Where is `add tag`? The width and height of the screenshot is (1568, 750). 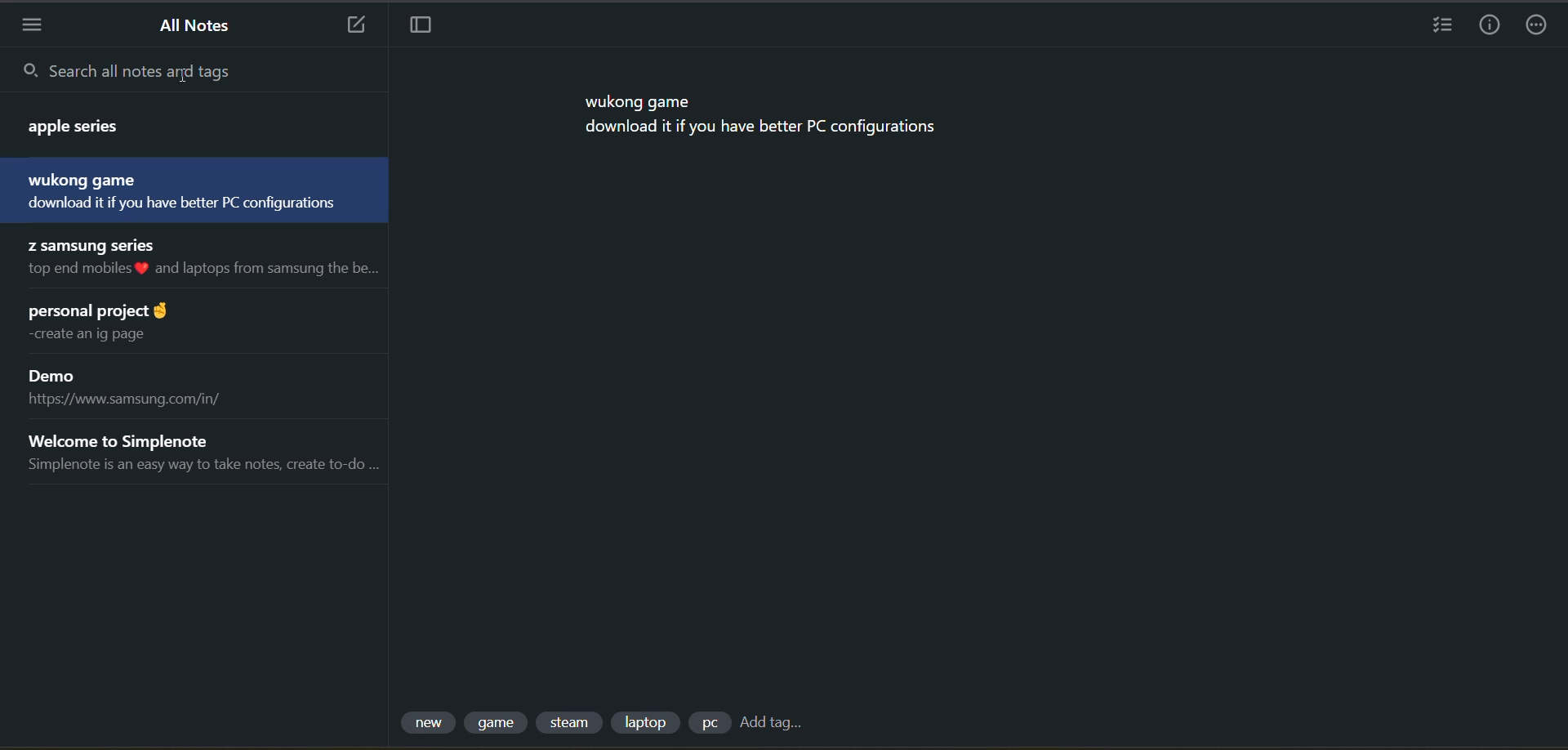 add tag is located at coordinates (775, 721).